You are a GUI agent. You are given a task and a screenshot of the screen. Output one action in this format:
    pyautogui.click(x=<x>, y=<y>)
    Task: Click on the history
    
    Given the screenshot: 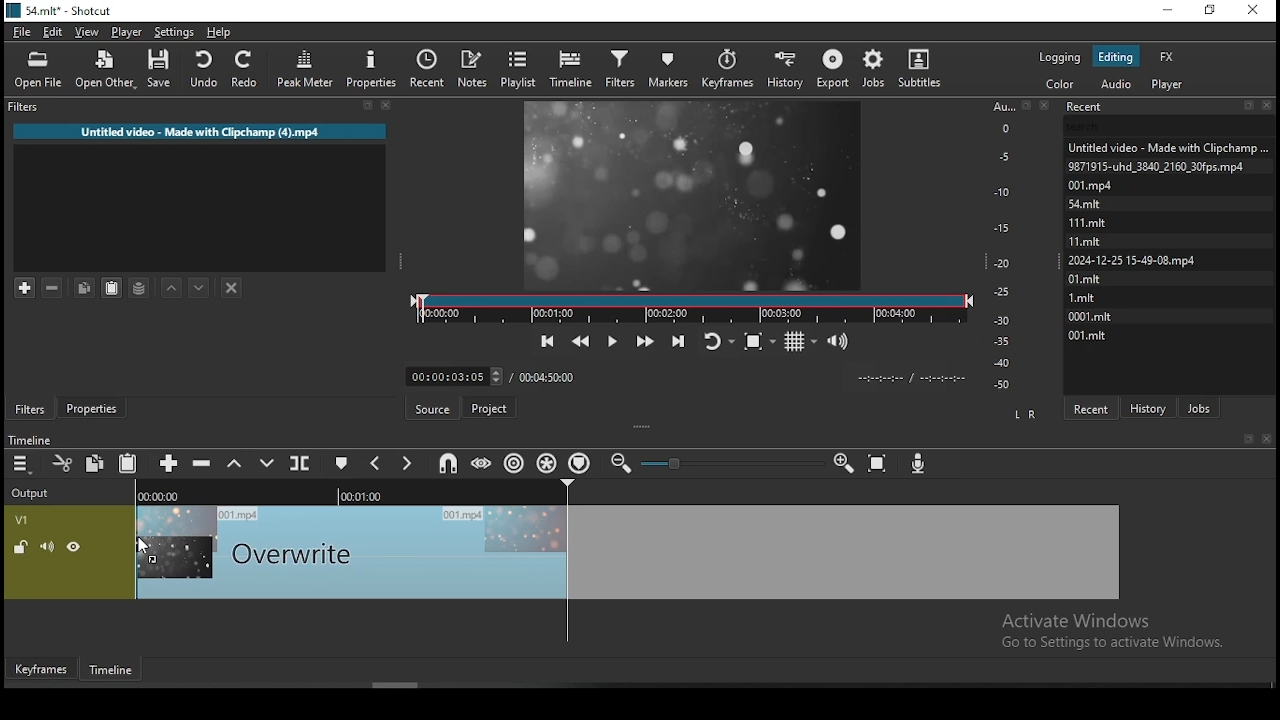 What is the action you would take?
    pyautogui.click(x=788, y=69)
    